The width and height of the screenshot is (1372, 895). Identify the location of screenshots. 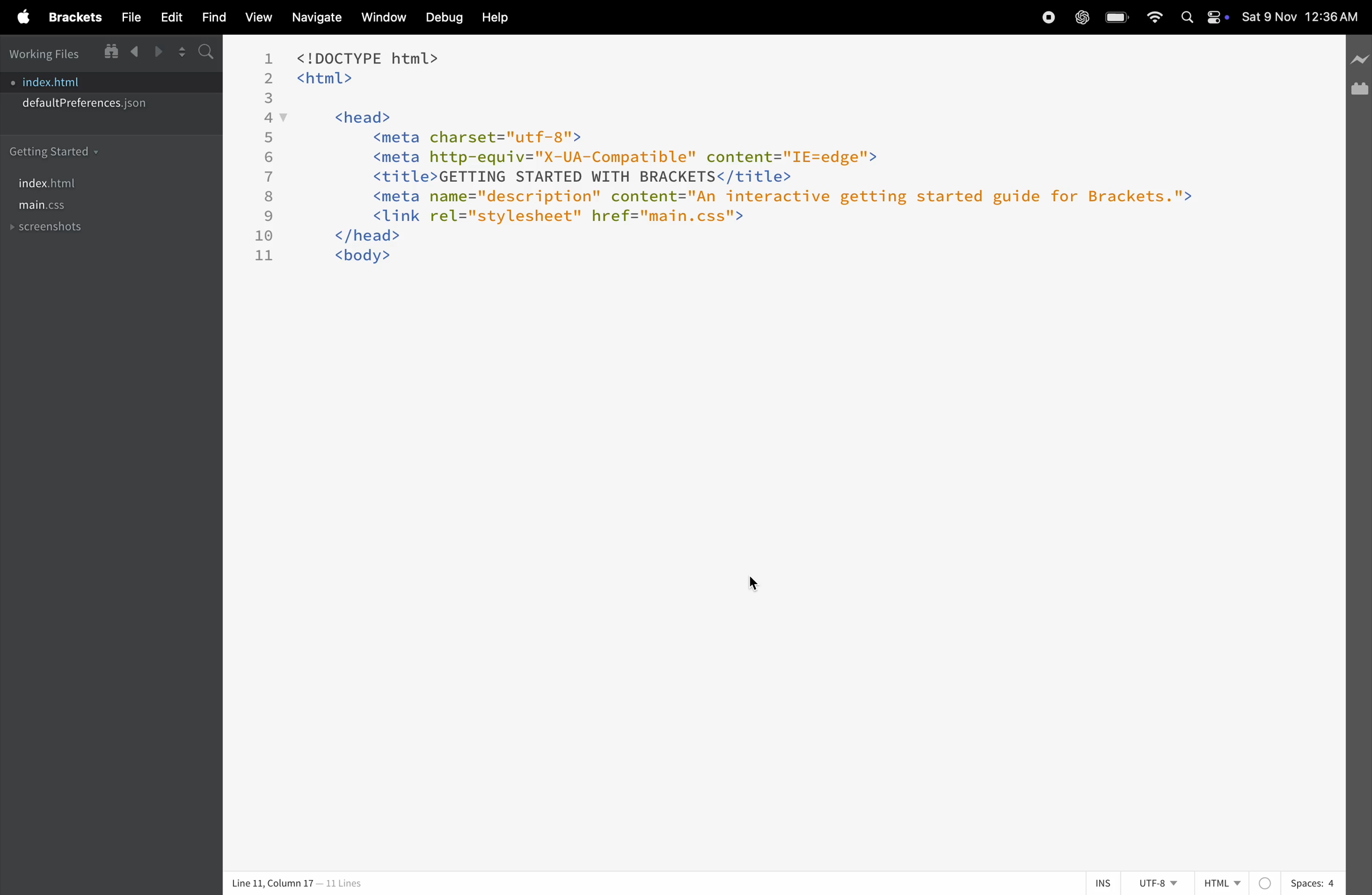
(49, 231).